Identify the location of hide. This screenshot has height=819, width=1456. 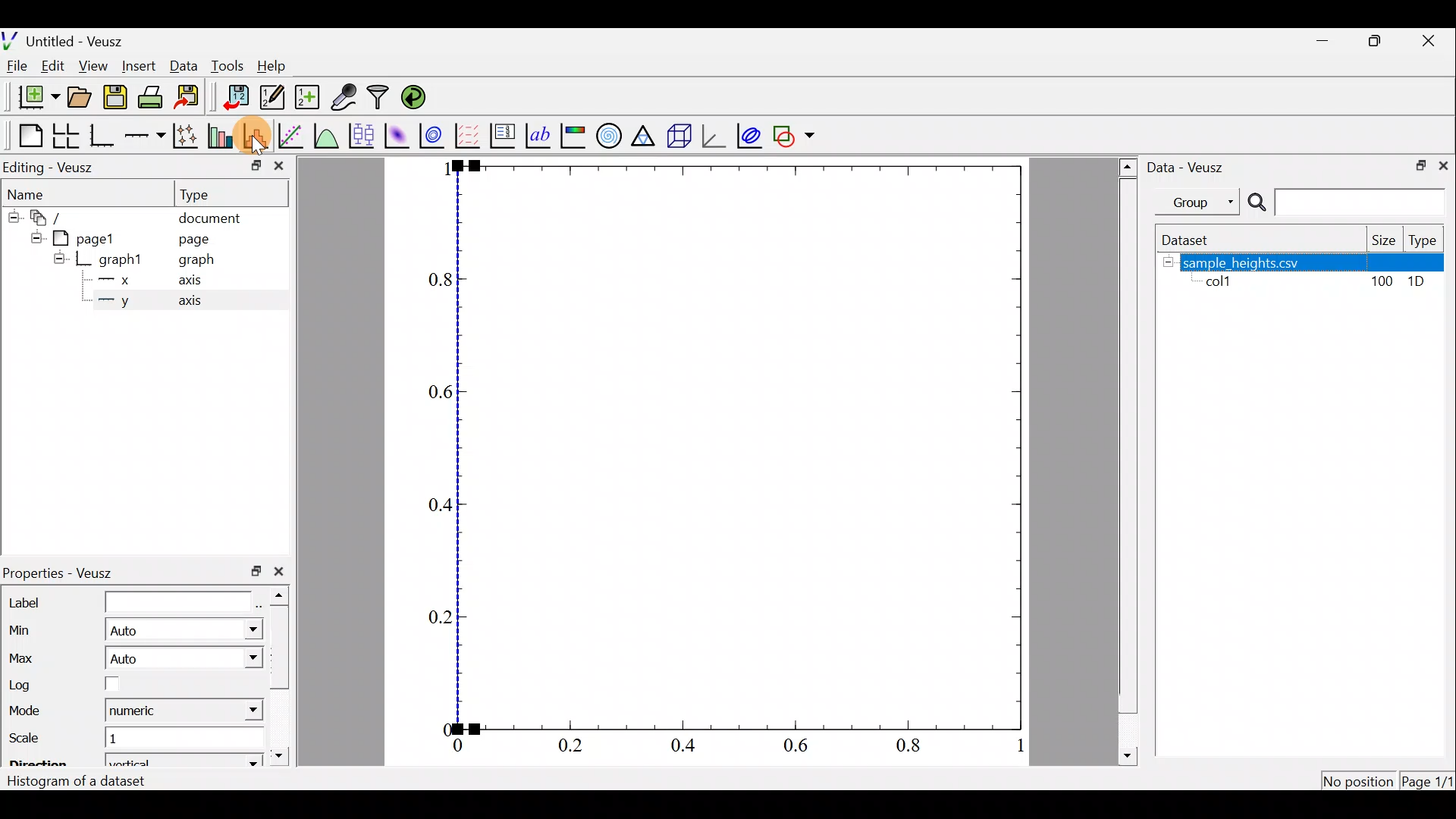
(58, 258).